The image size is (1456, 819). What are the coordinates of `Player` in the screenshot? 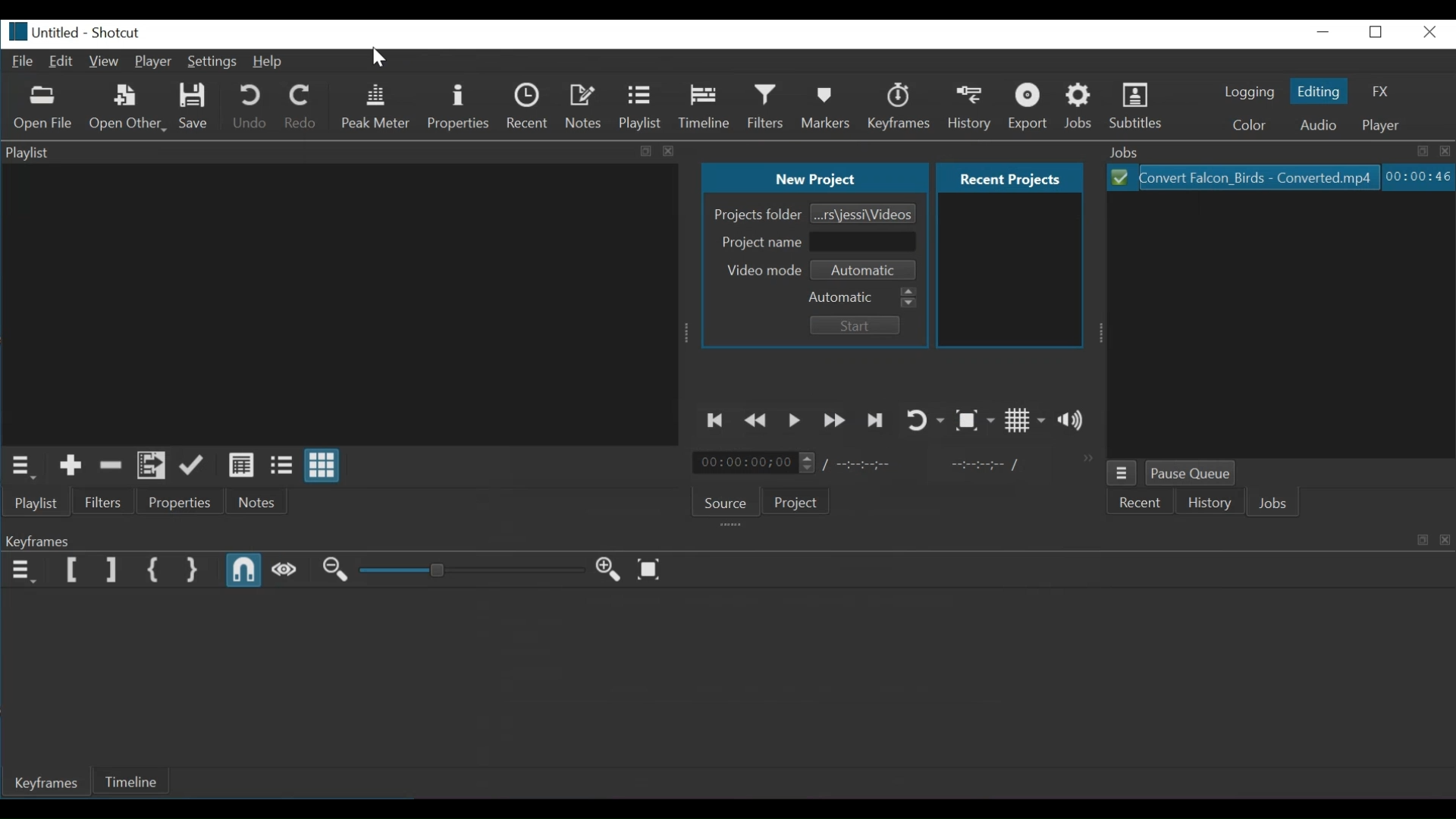 It's located at (1382, 126).